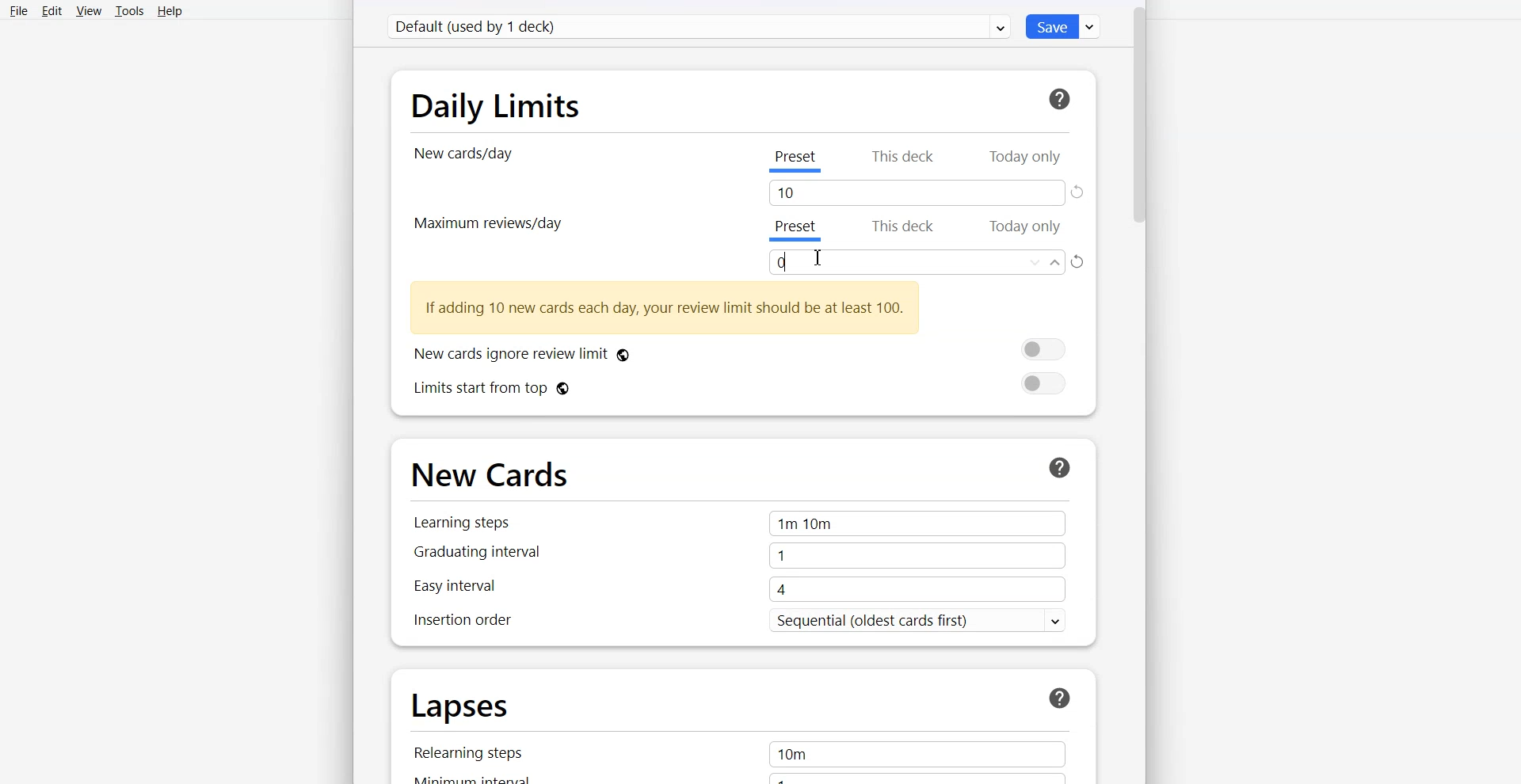  What do you see at coordinates (1027, 229) in the screenshot?
I see `Today Only` at bounding box center [1027, 229].